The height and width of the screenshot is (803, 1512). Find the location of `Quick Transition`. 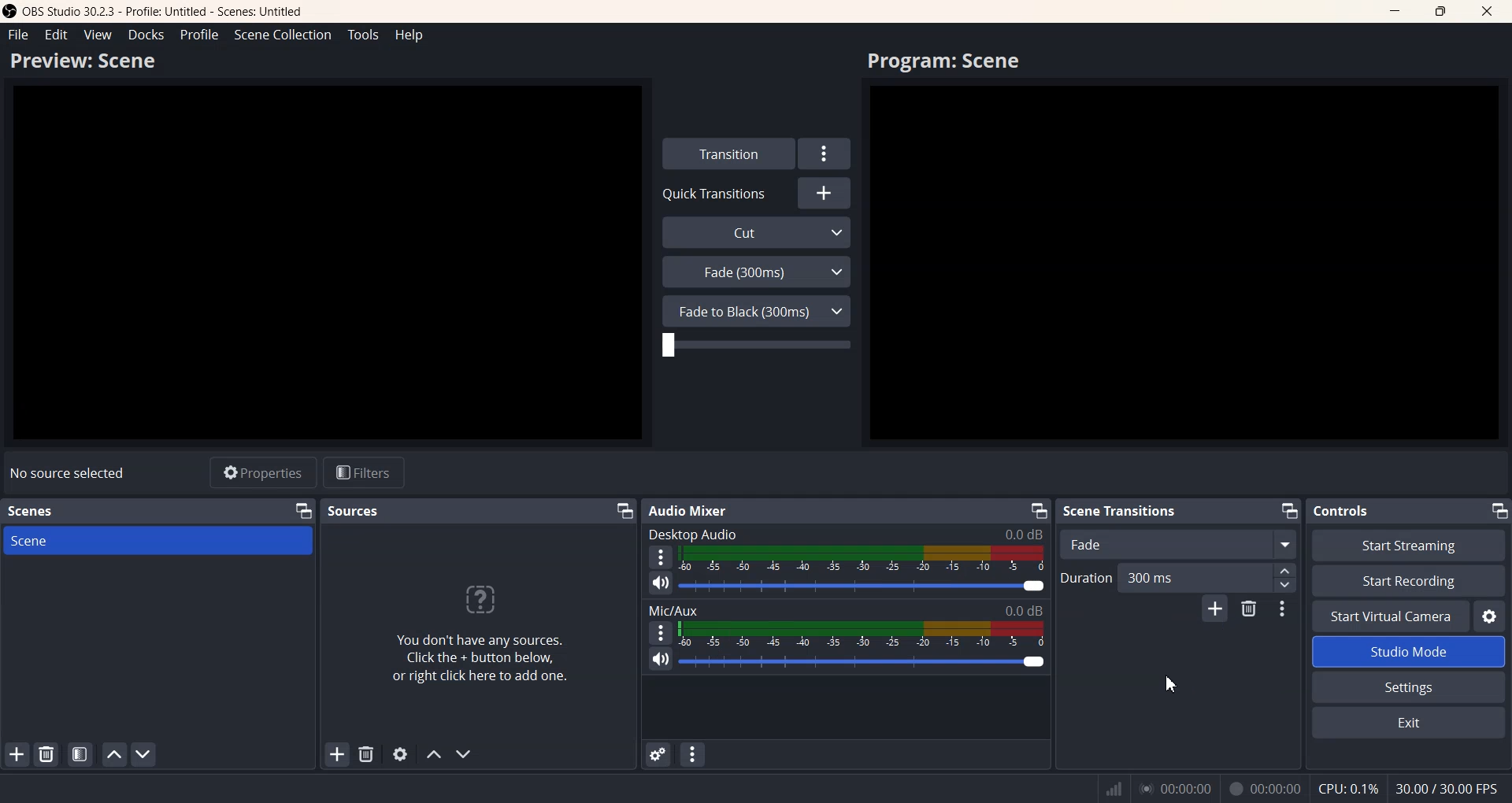

Quick Transition is located at coordinates (755, 193).